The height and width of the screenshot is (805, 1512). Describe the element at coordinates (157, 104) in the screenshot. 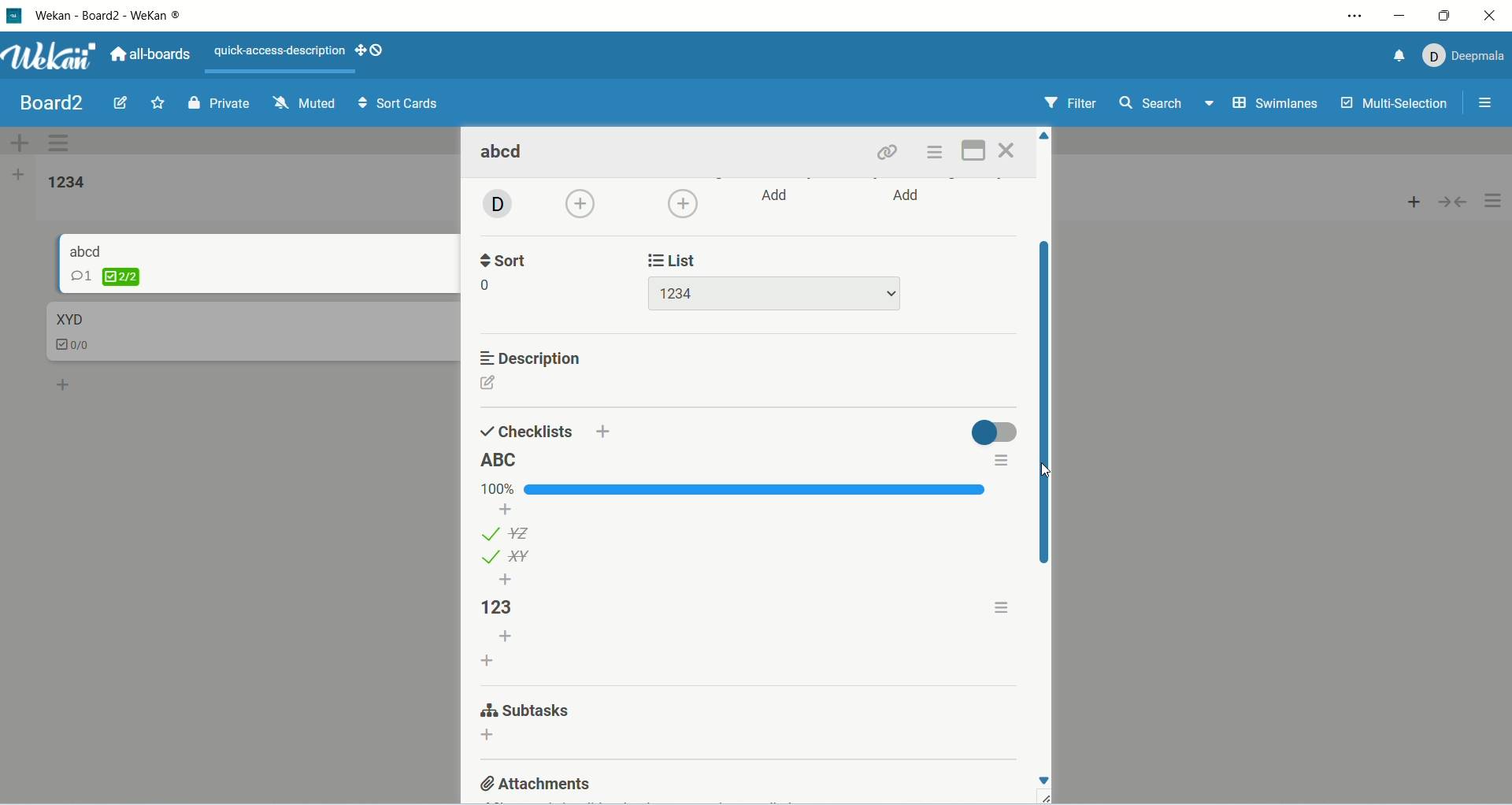

I see `favorite` at that location.